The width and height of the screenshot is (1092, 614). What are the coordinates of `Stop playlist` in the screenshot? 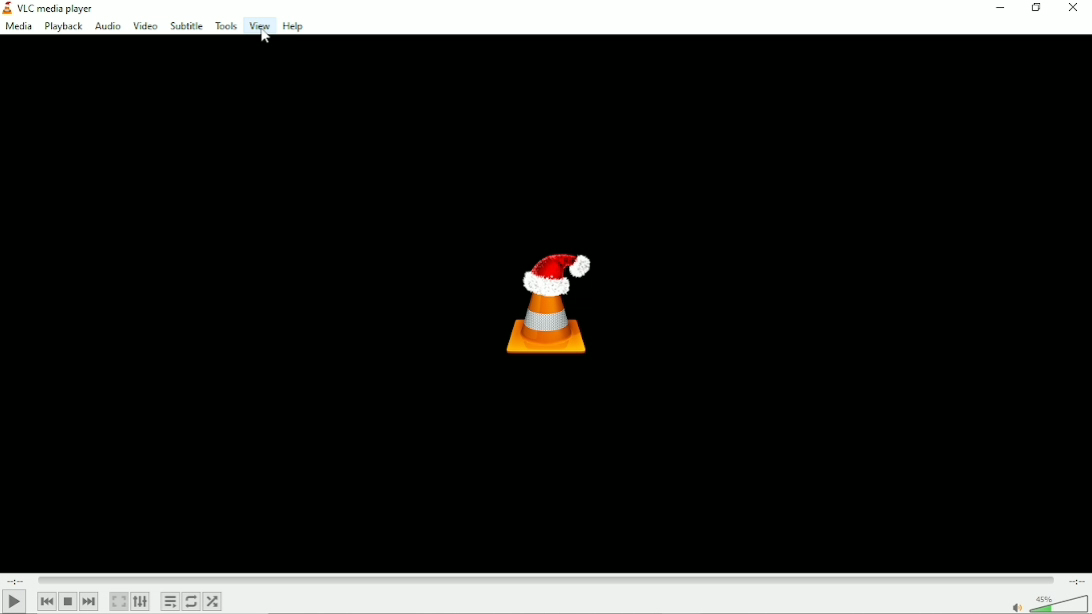 It's located at (68, 602).